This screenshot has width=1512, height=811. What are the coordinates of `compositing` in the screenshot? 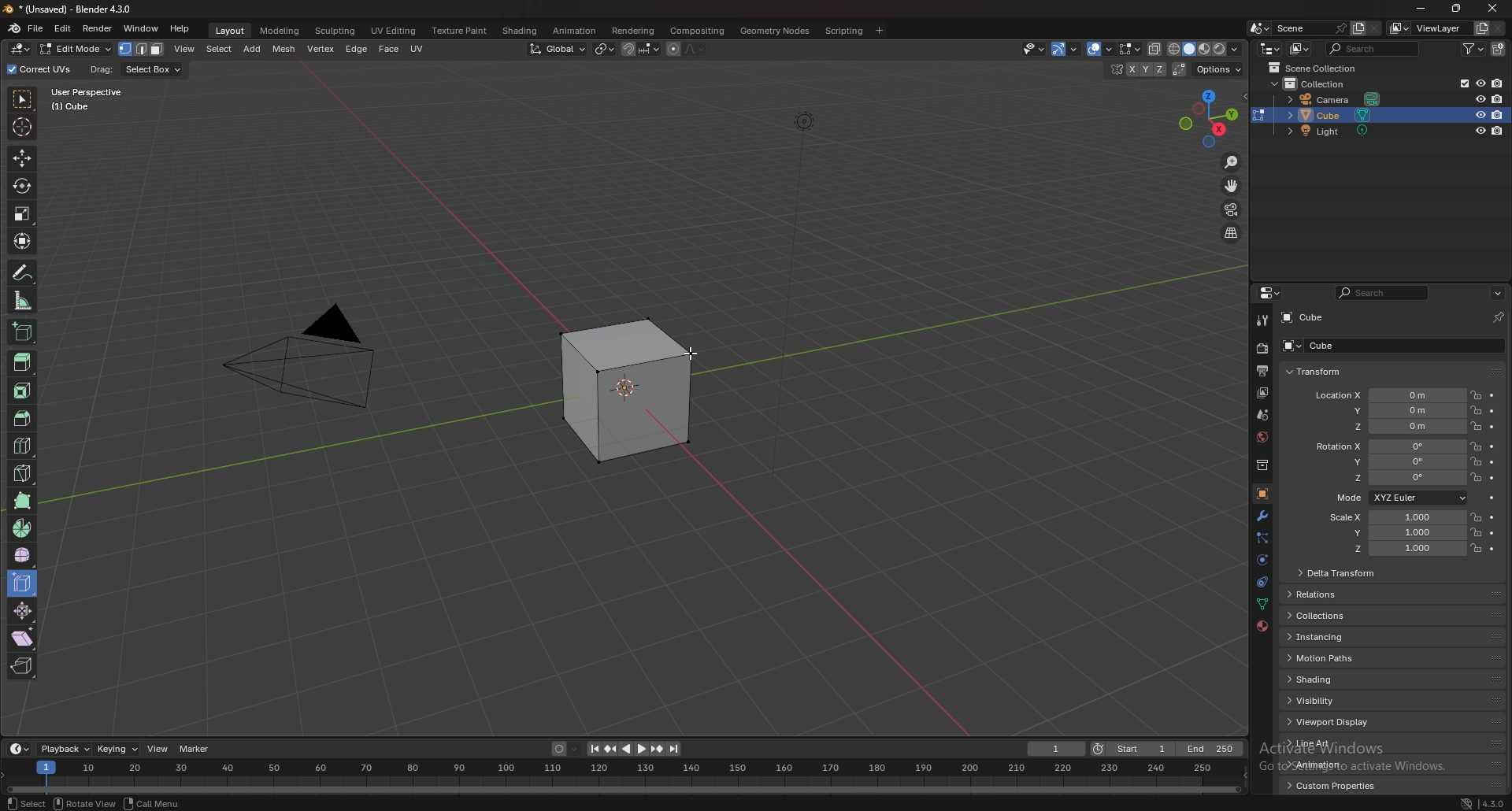 It's located at (698, 31).